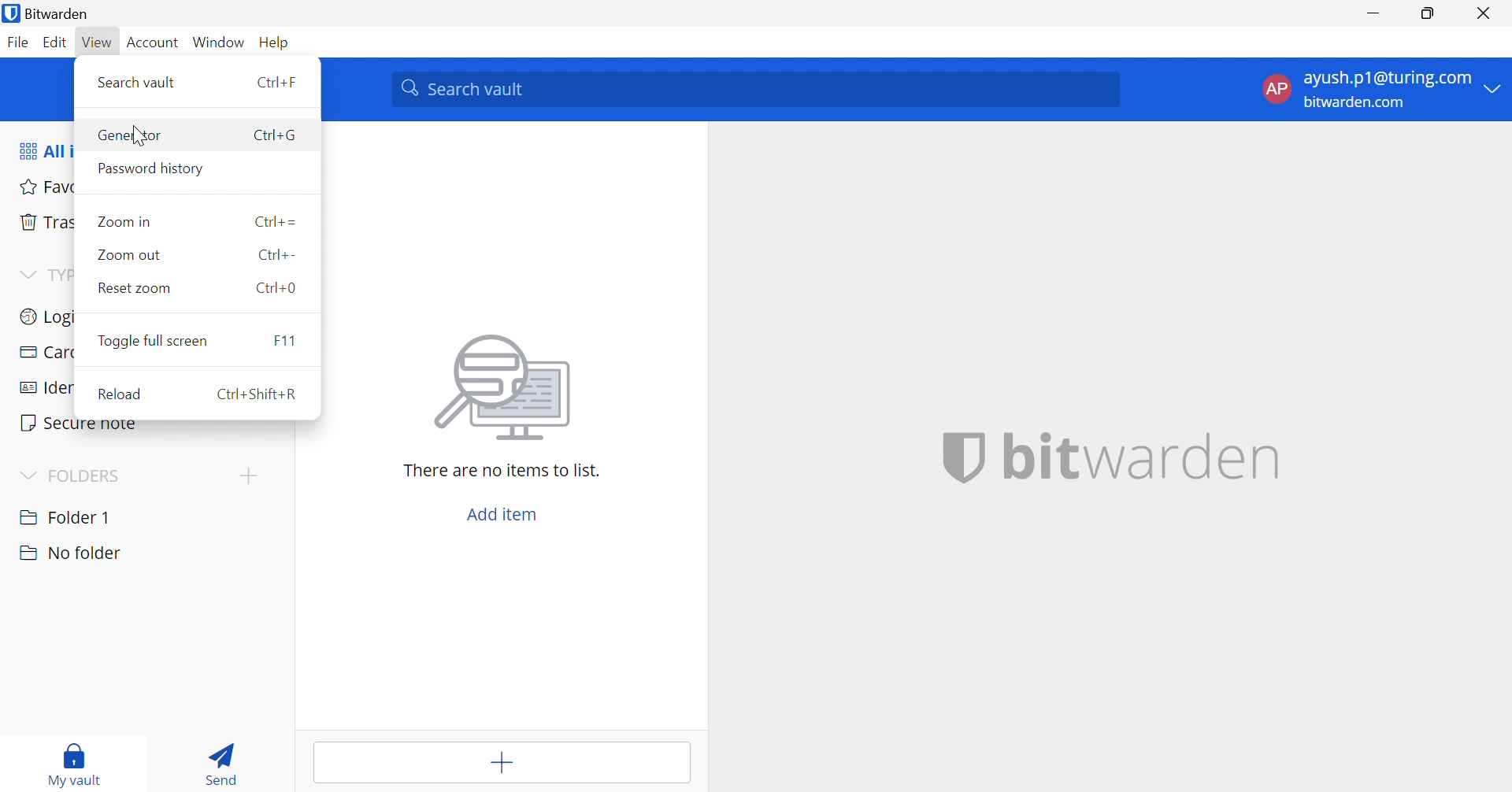  Describe the element at coordinates (962, 461) in the screenshot. I see `bitwarden logo` at that location.